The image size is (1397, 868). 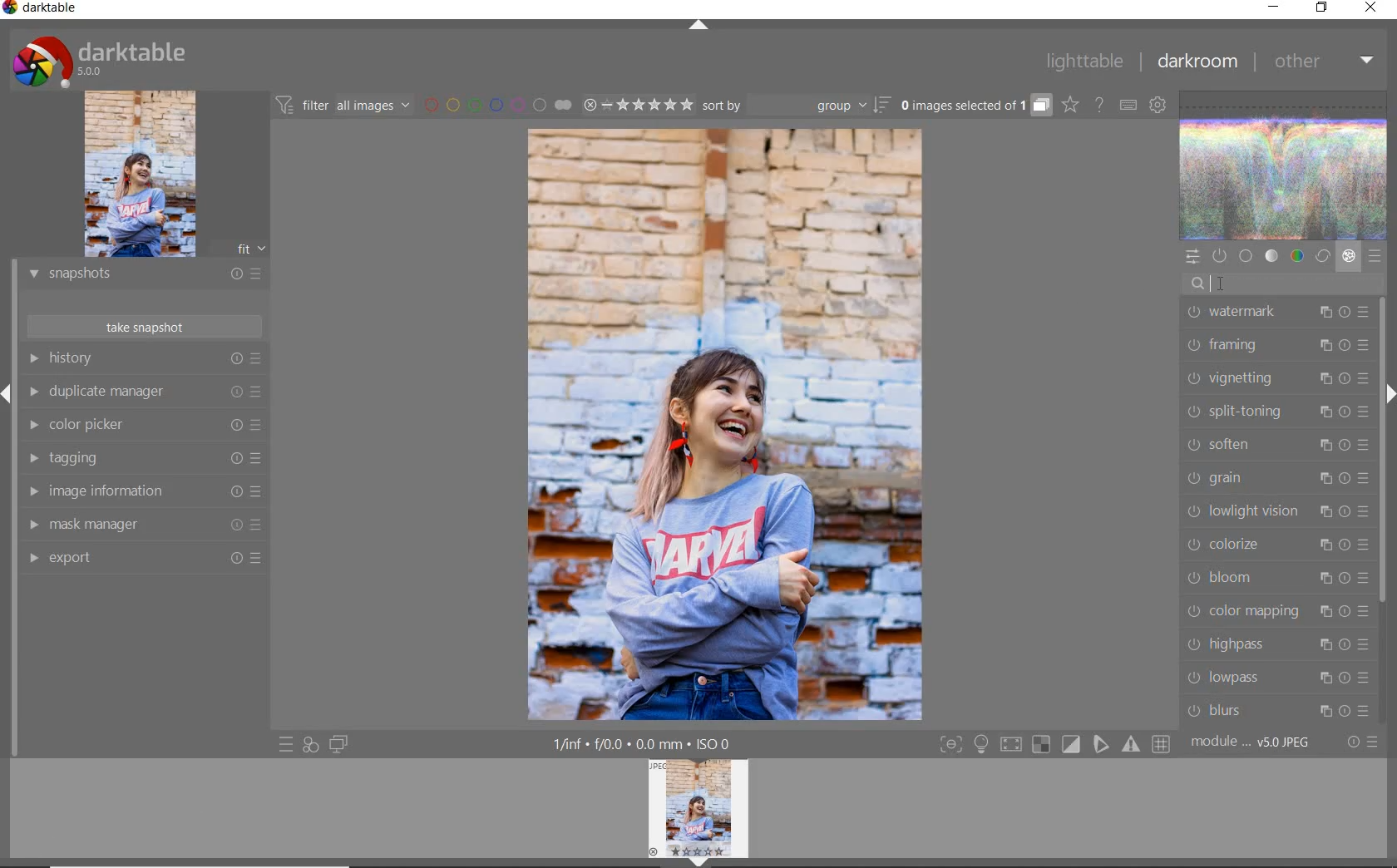 What do you see at coordinates (1246, 256) in the screenshot?
I see `base` at bounding box center [1246, 256].